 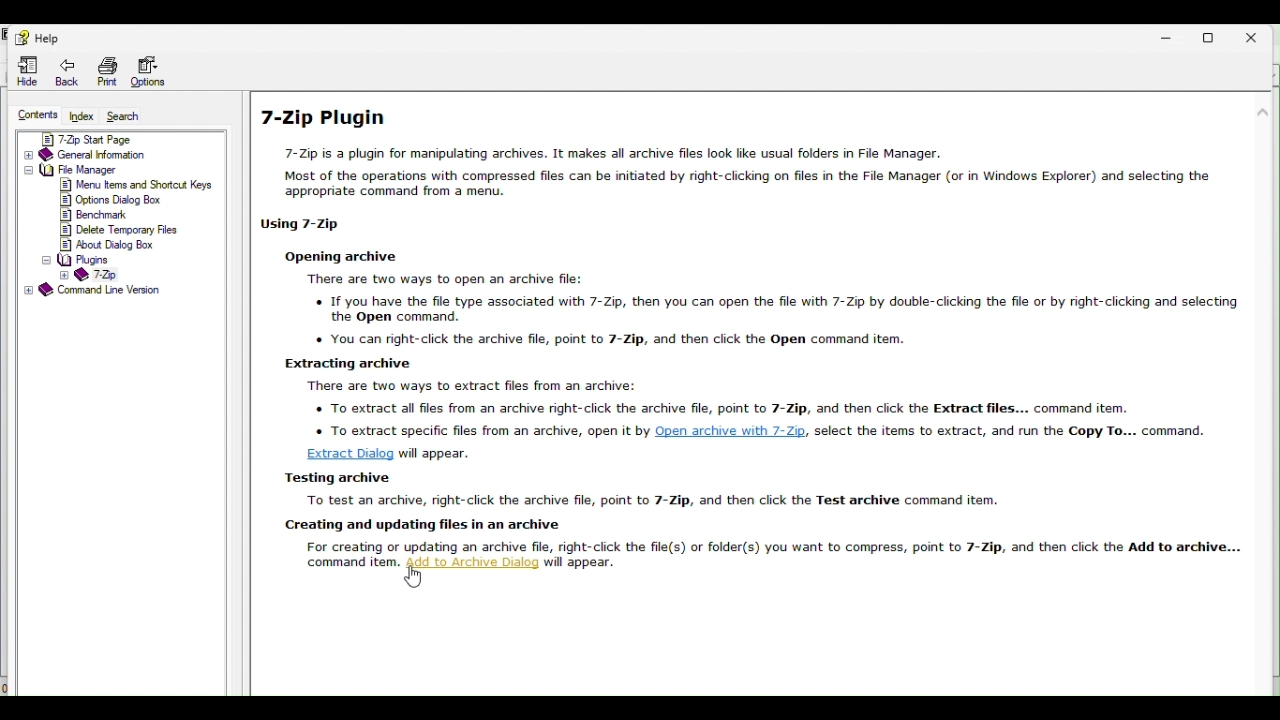 What do you see at coordinates (118, 139) in the screenshot?
I see `7 zip start page` at bounding box center [118, 139].